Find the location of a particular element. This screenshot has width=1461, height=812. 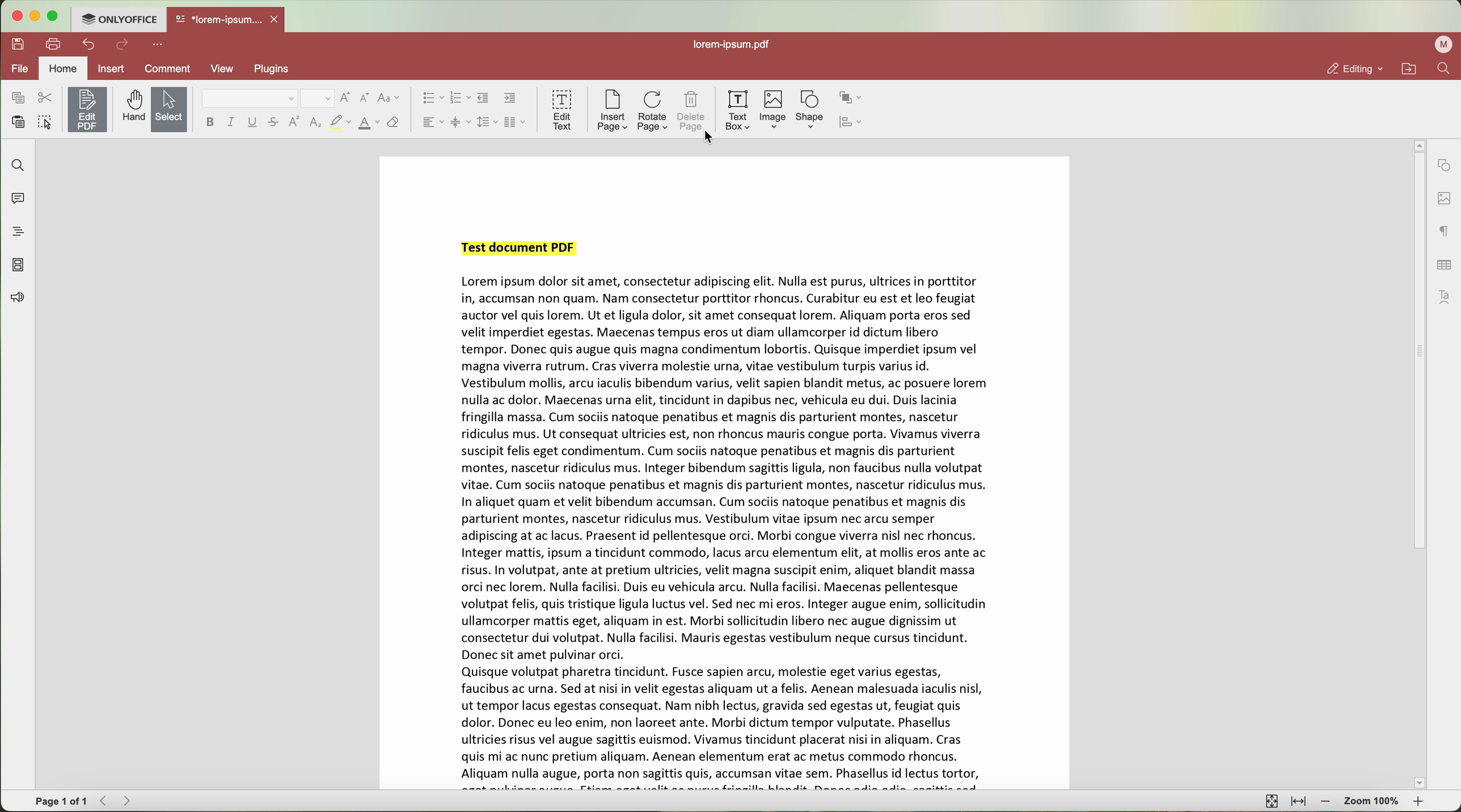

fit to page is located at coordinates (1270, 801).